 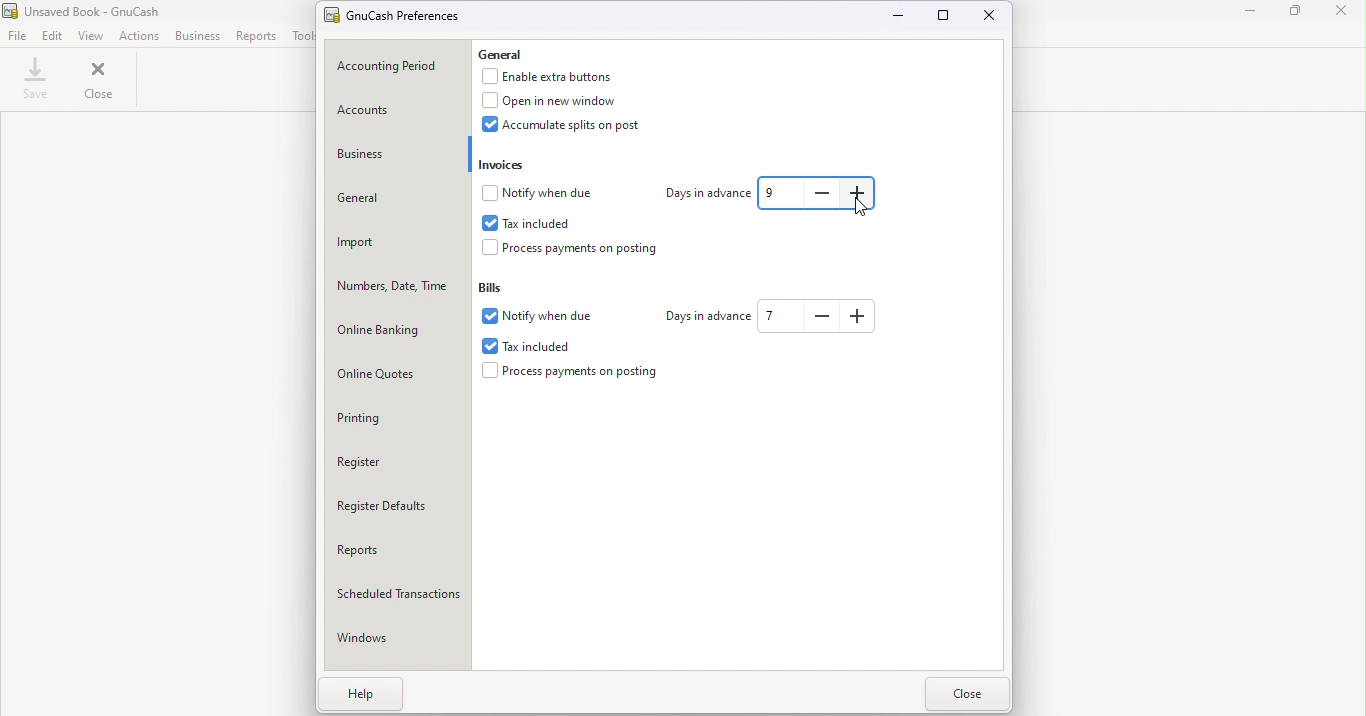 I want to click on Register Defaults, so click(x=399, y=511).